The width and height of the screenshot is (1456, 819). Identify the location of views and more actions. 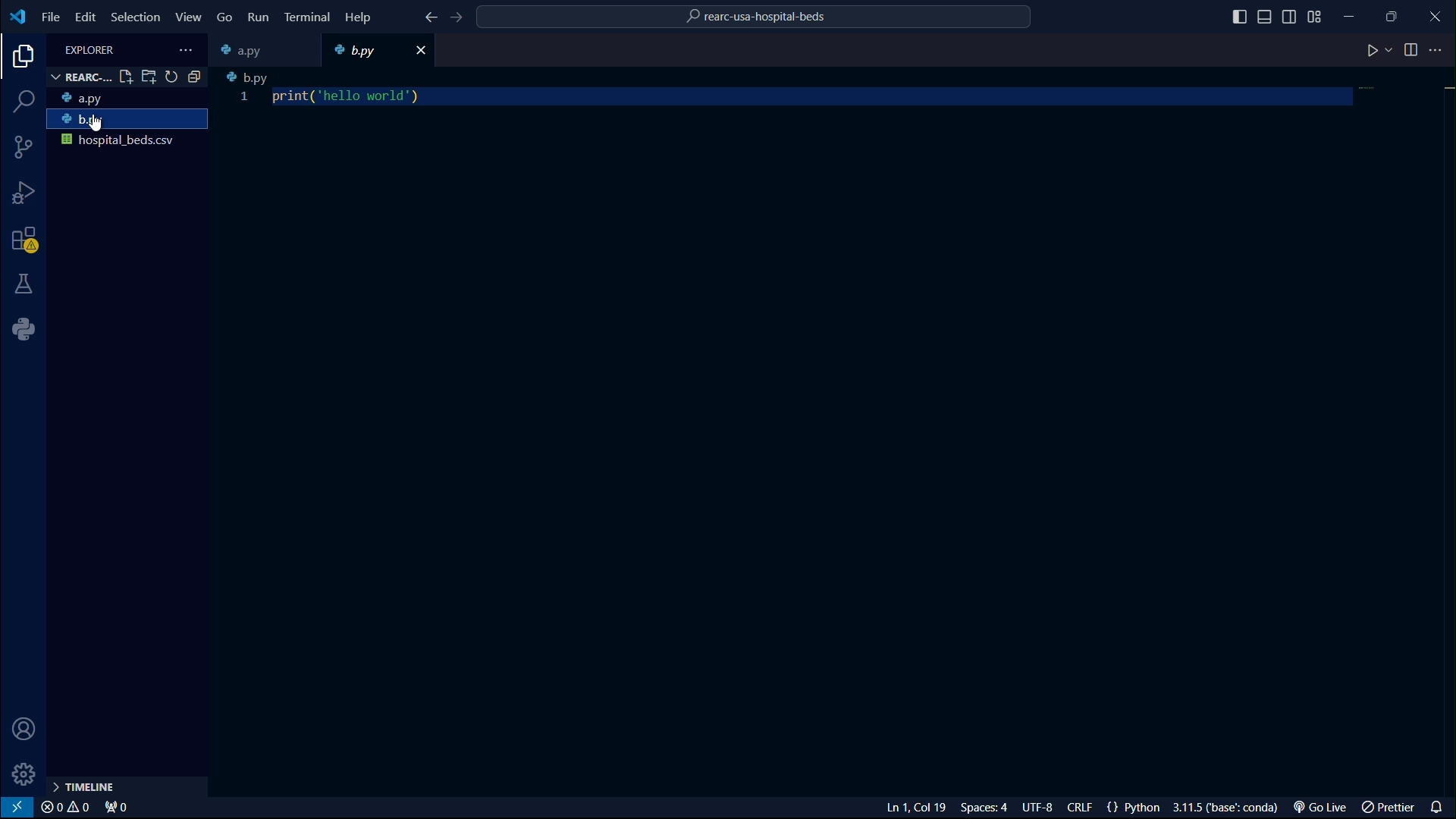
(184, 48).